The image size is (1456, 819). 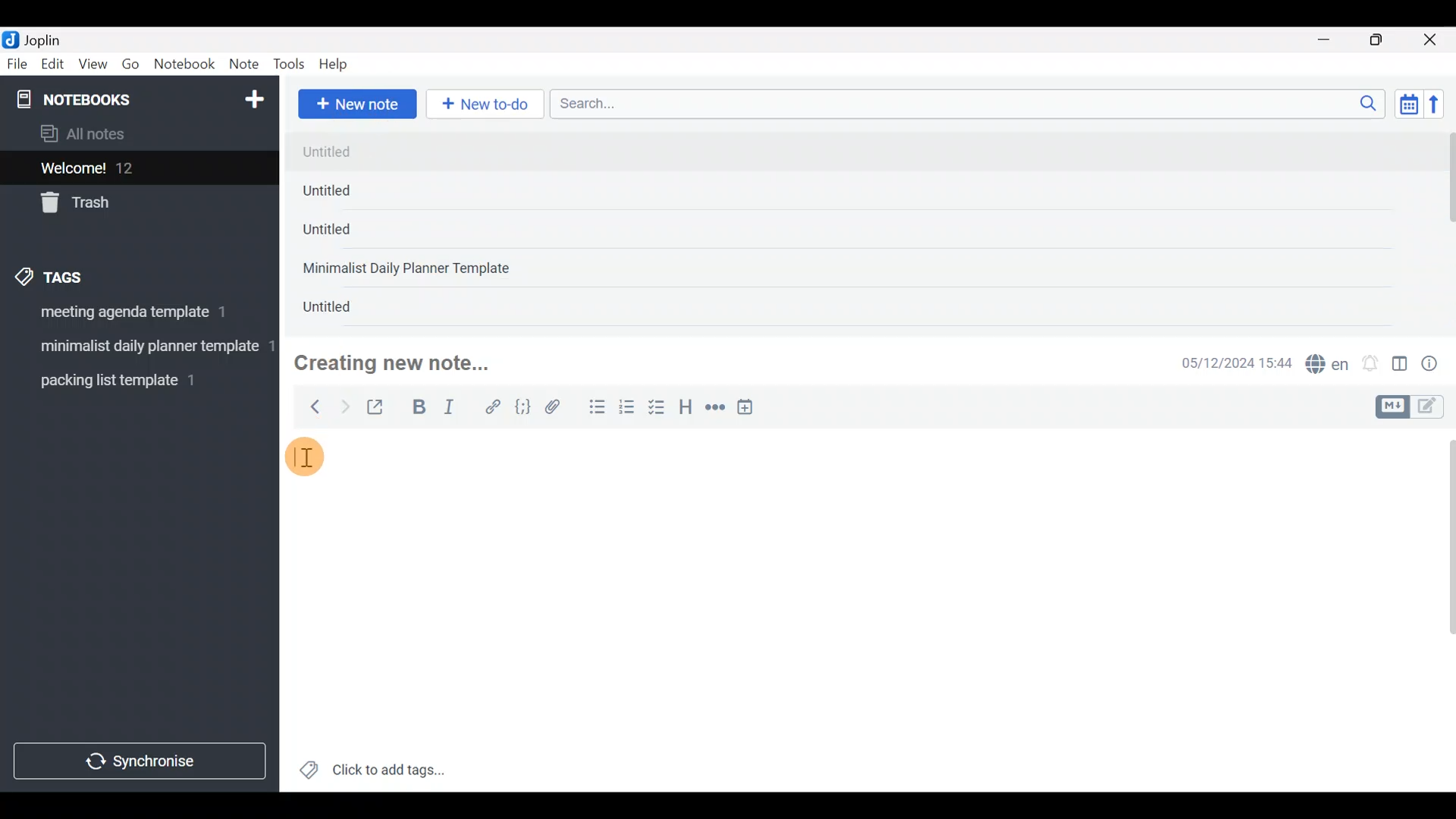 I want to click on Tools, so click(x=290, y=65).